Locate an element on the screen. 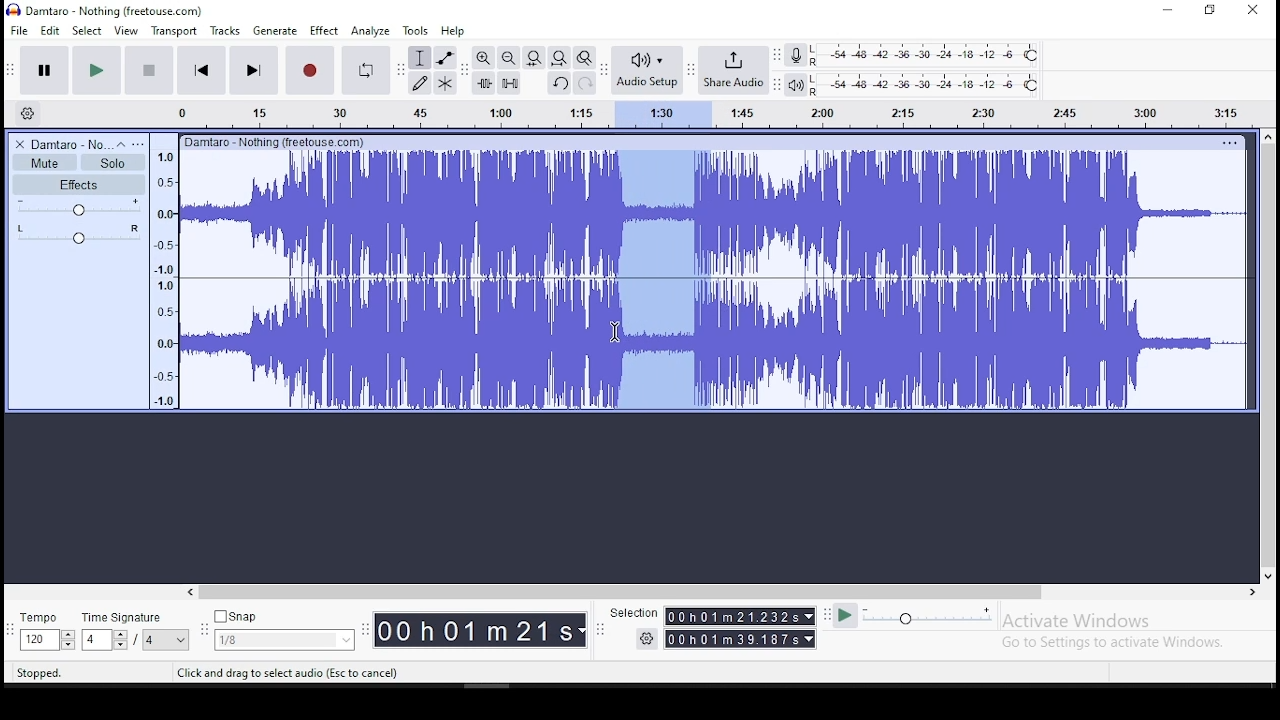 The image size is (1280, 720).  is located at coordinates (775, 53).